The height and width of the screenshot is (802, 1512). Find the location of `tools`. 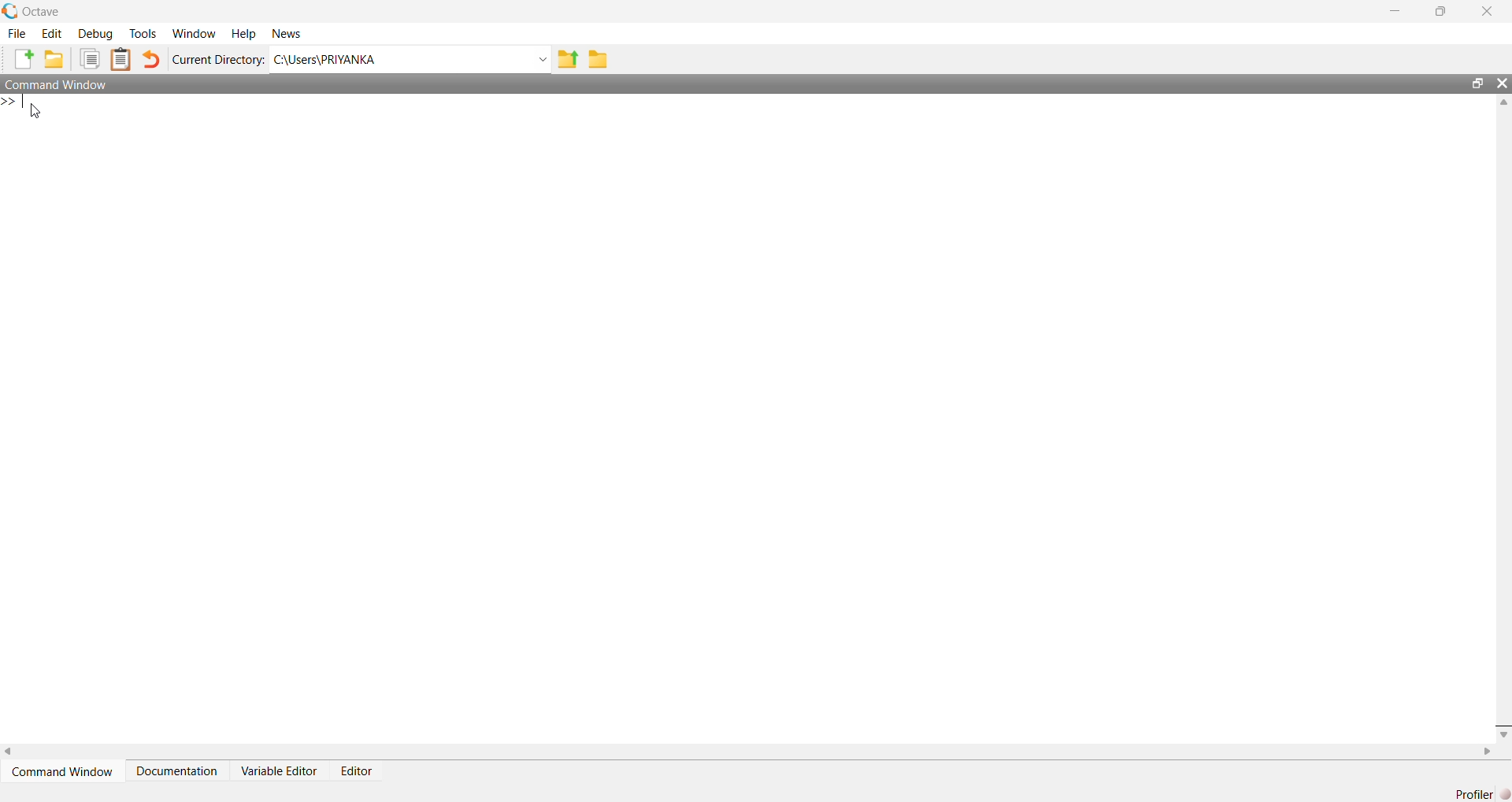

tools is located at coordinates (144, 35).